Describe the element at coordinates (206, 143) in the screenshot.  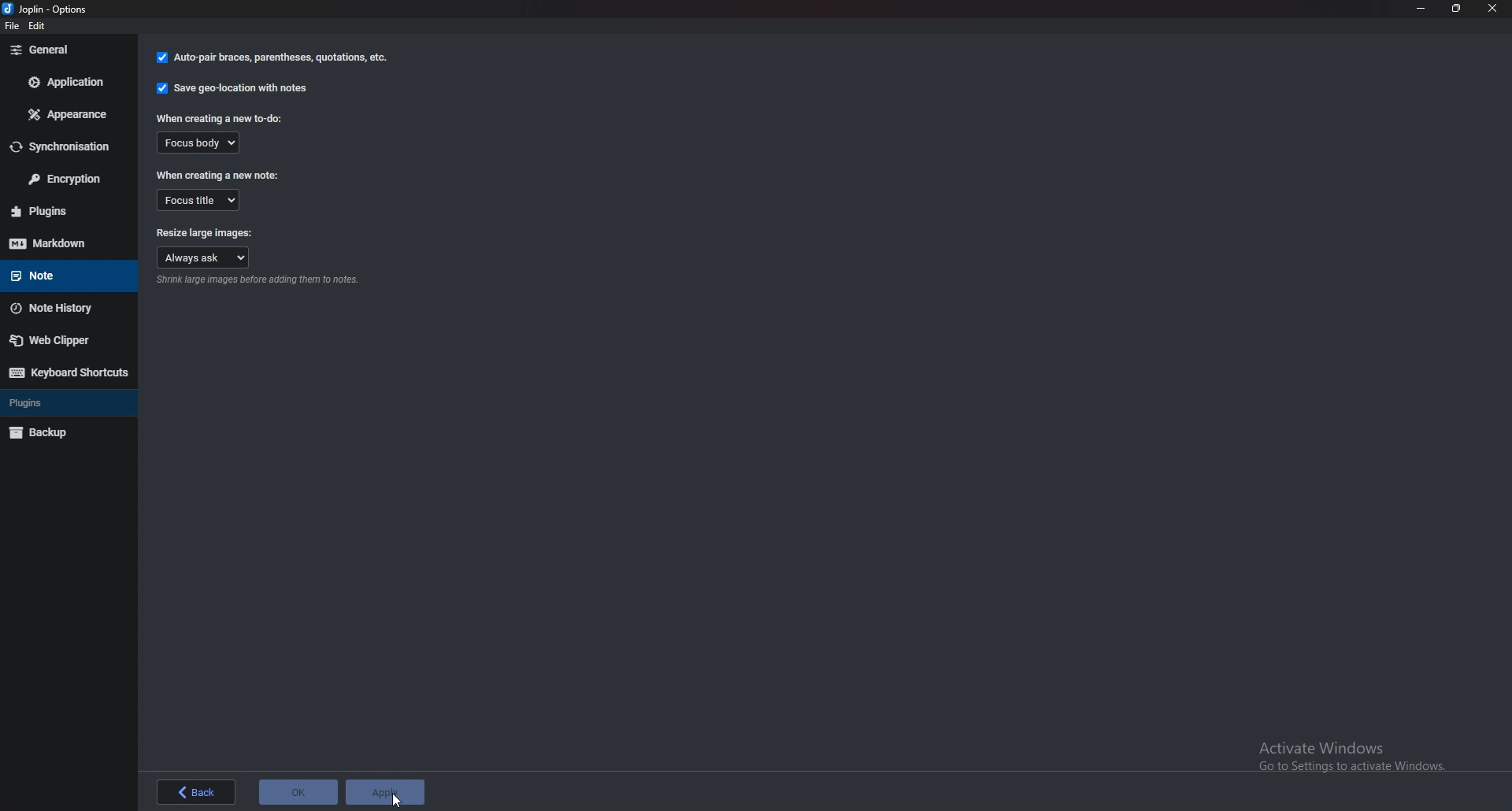
I see `Focus body` at that location.